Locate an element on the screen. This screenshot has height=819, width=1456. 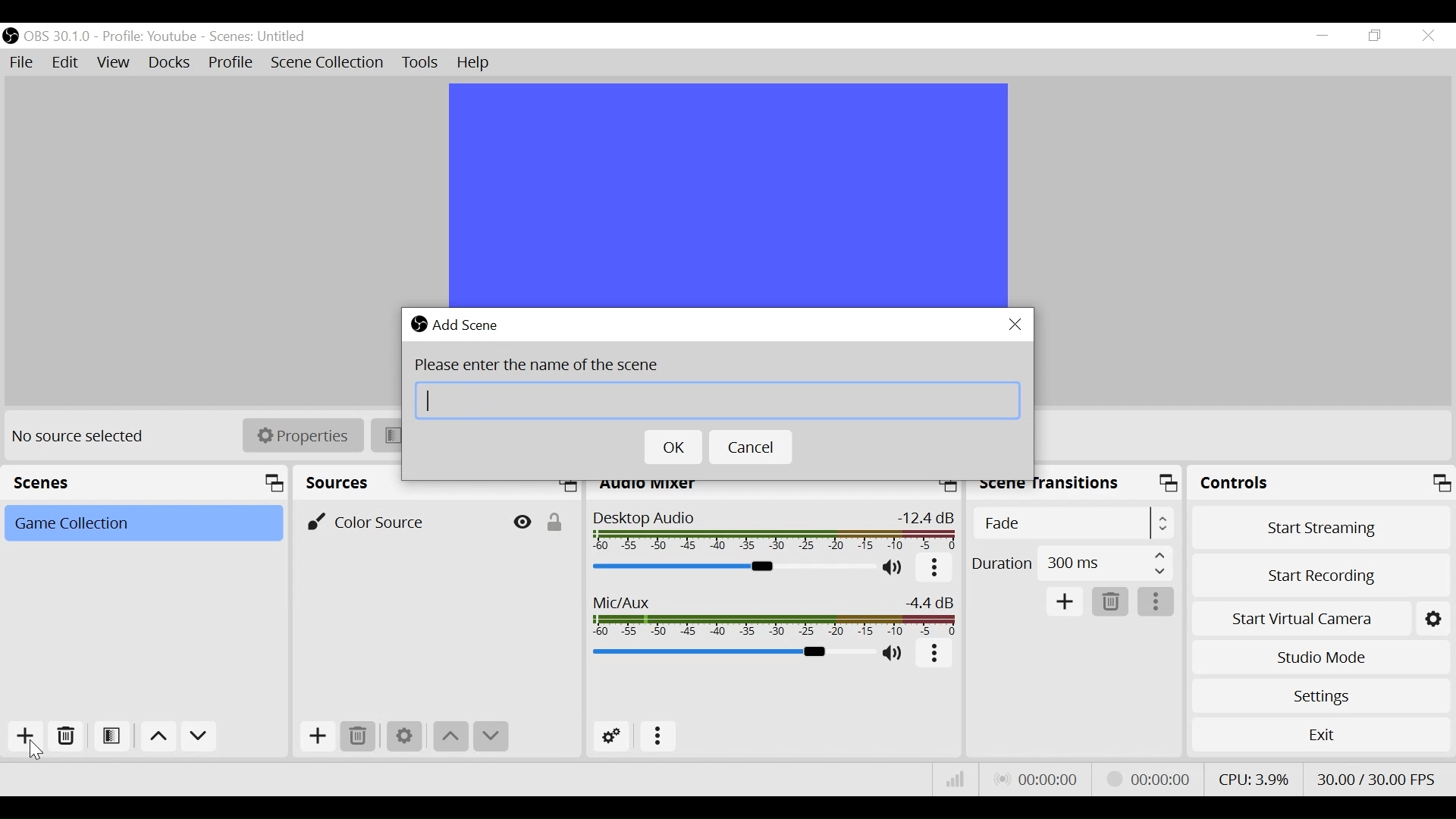
Hide/Display is located at coordinates (522, 522).